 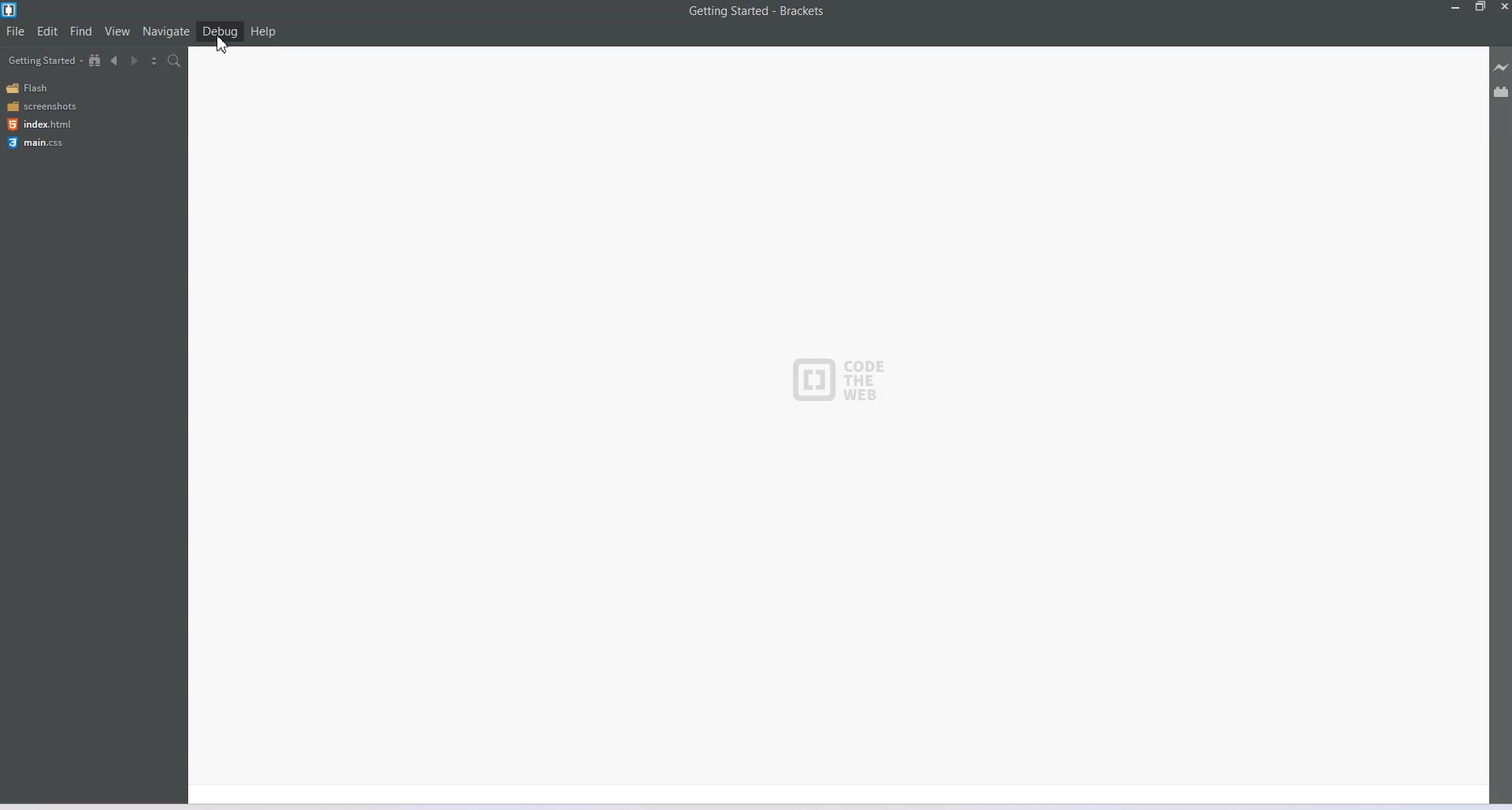 I want to click on Split editor vertically and Horizontally, so click(x=154, y=61).